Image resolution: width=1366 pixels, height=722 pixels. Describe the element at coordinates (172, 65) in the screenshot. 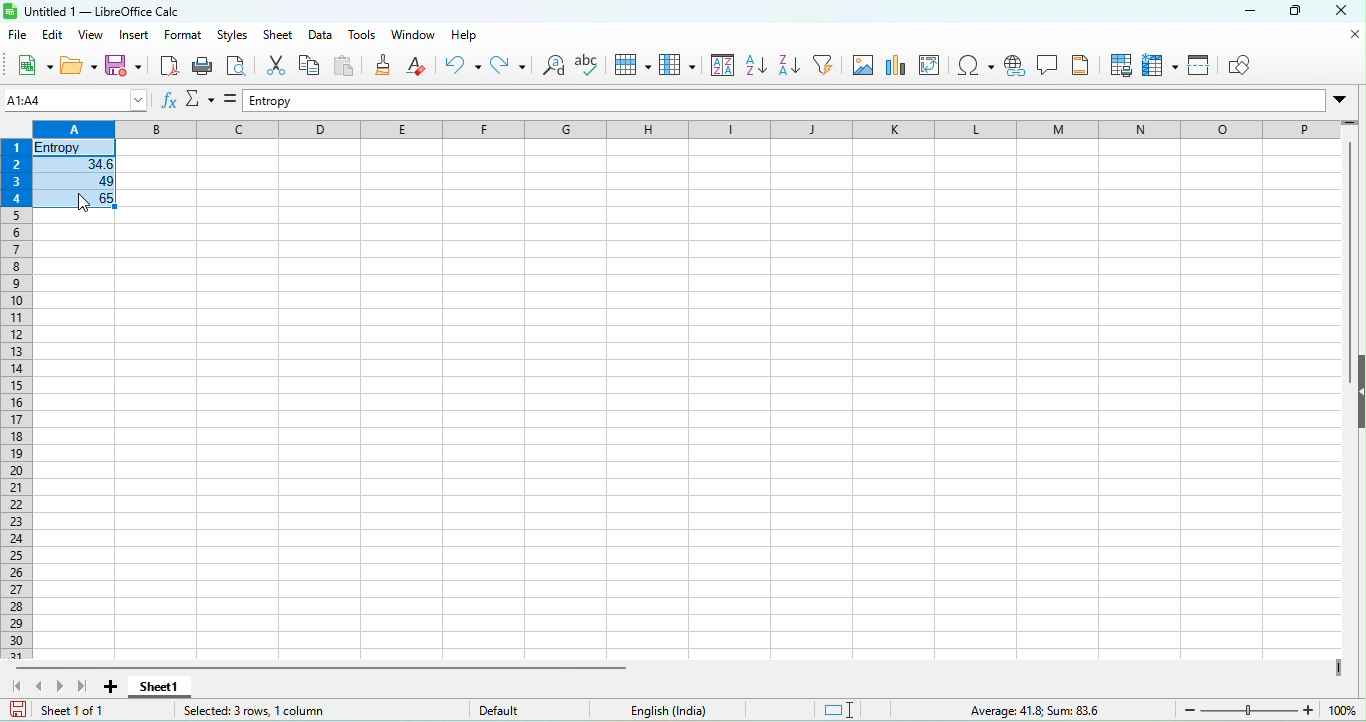

I see `export directly as pdf` at that location.